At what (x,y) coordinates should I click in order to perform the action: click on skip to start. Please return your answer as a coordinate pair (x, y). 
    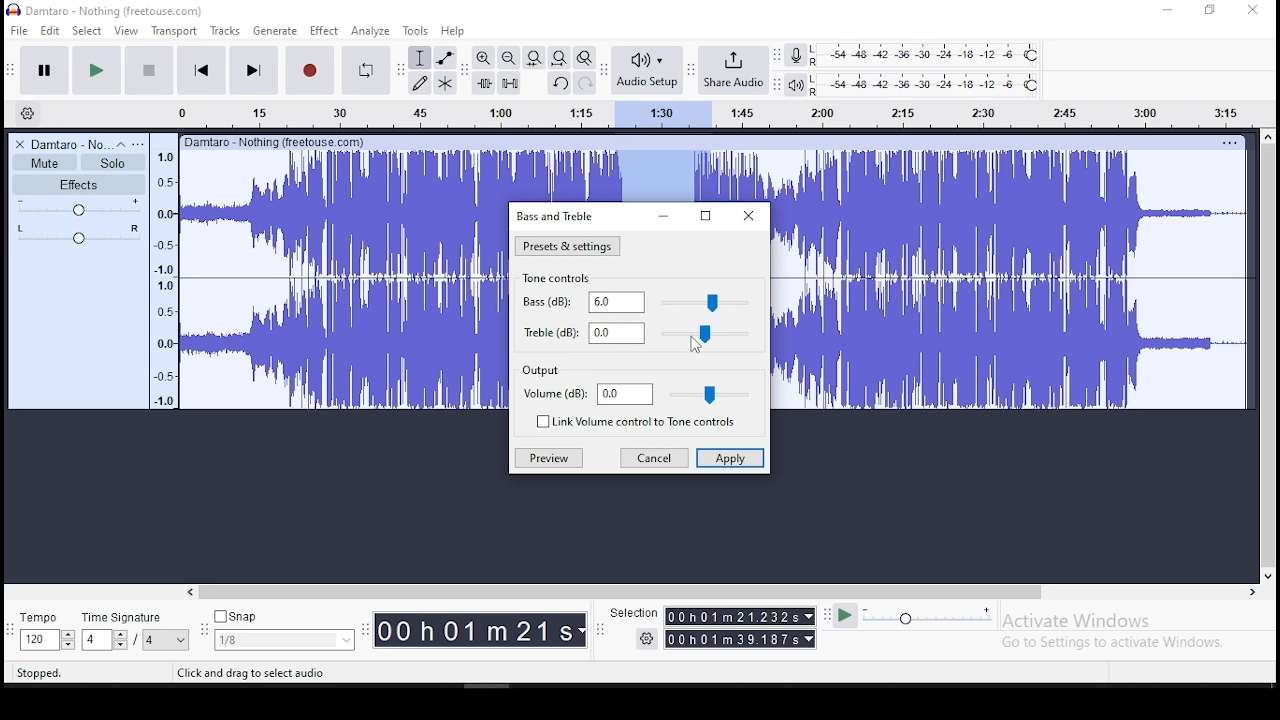
    Looking at the image, I should click on (253, 69).